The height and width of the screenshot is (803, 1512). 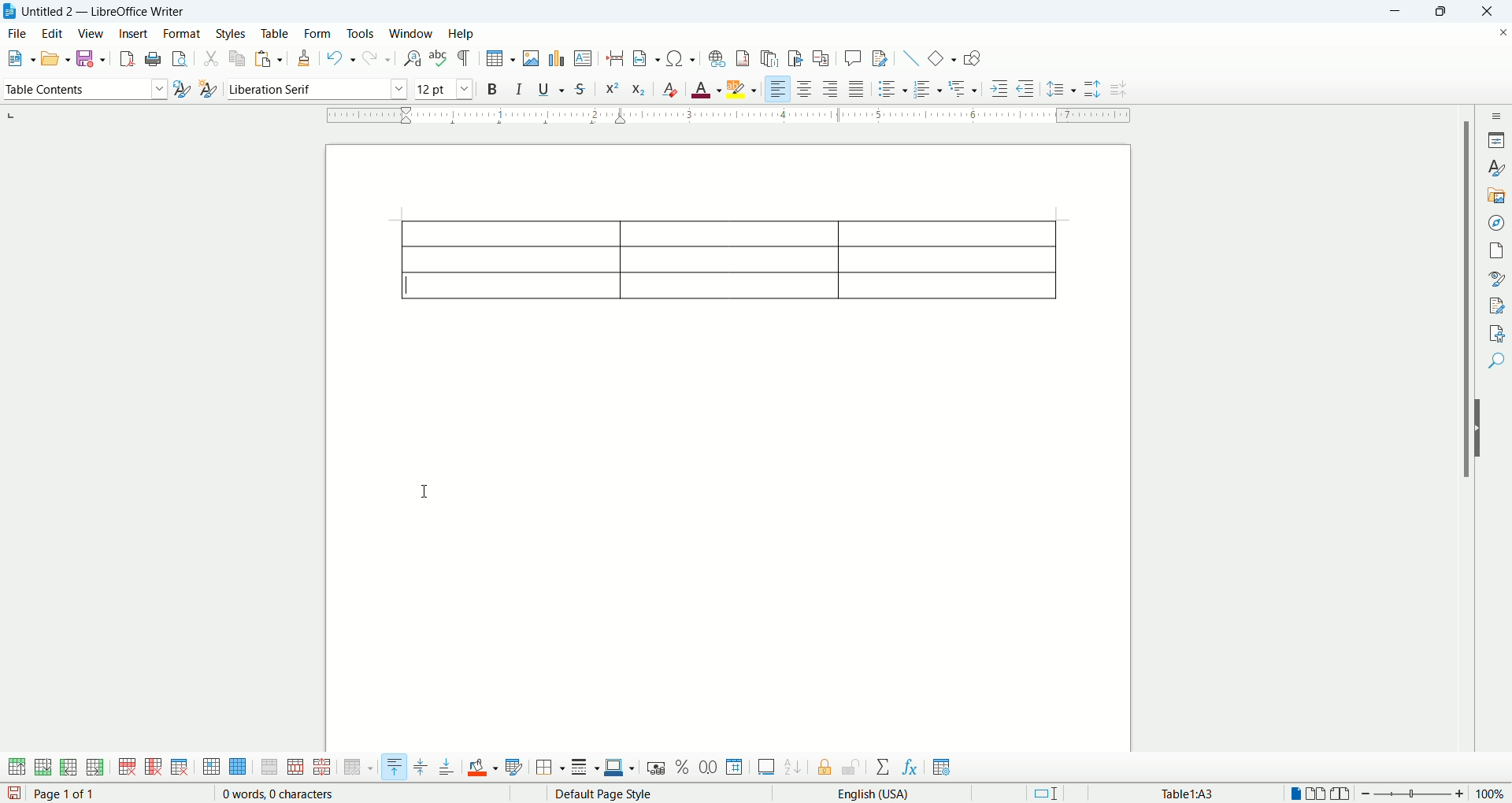 What do you see at coordinates (1051, 794) in the screenshot?
I see `standard selection` at bounding box center [1051, 794].